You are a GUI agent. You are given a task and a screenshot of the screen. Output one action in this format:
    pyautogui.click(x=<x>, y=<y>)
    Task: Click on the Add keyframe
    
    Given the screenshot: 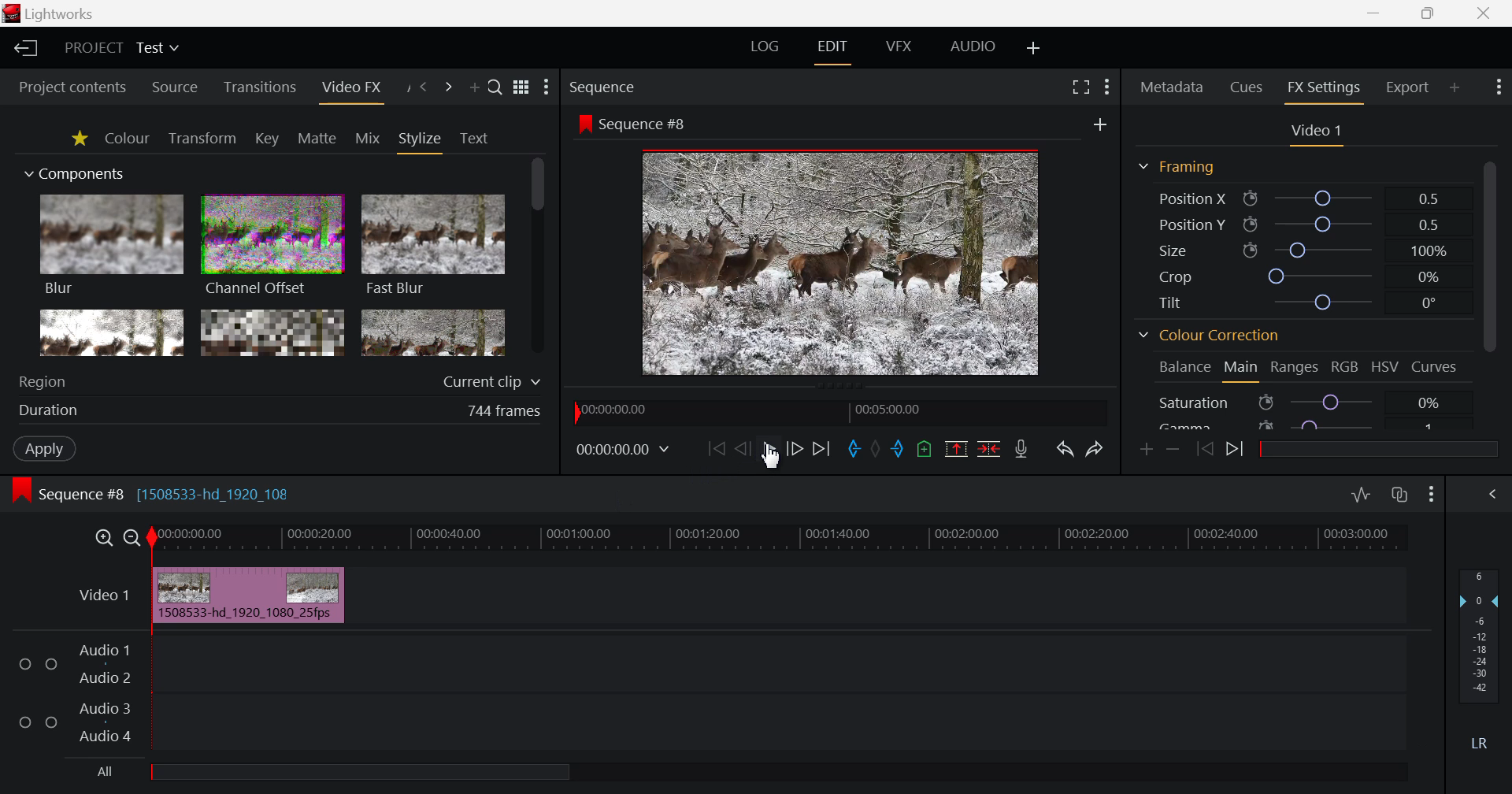 What is the action you would take?
    pyautogui.click(x=1147, y=451)
    